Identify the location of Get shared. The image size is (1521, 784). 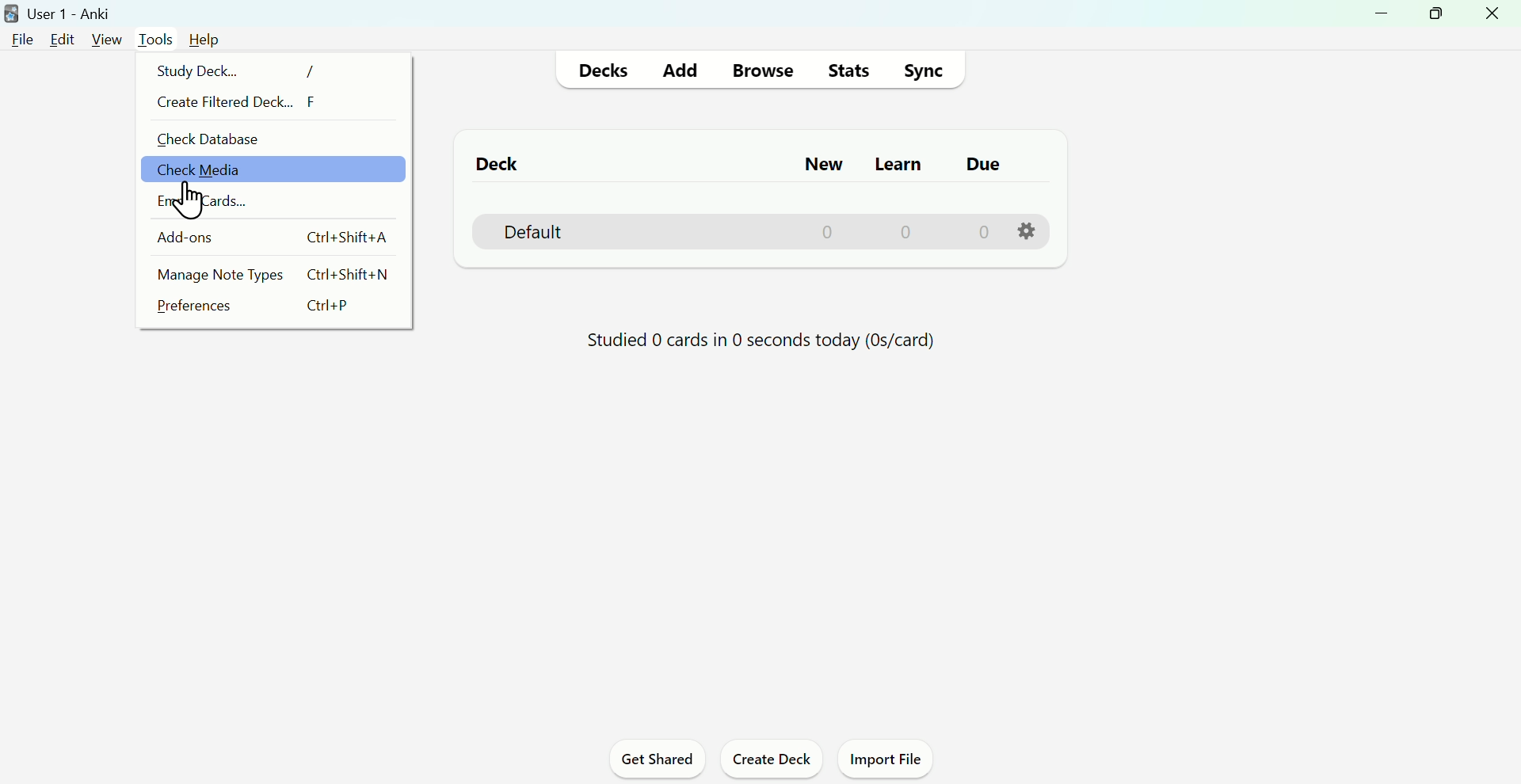
(656, 757).